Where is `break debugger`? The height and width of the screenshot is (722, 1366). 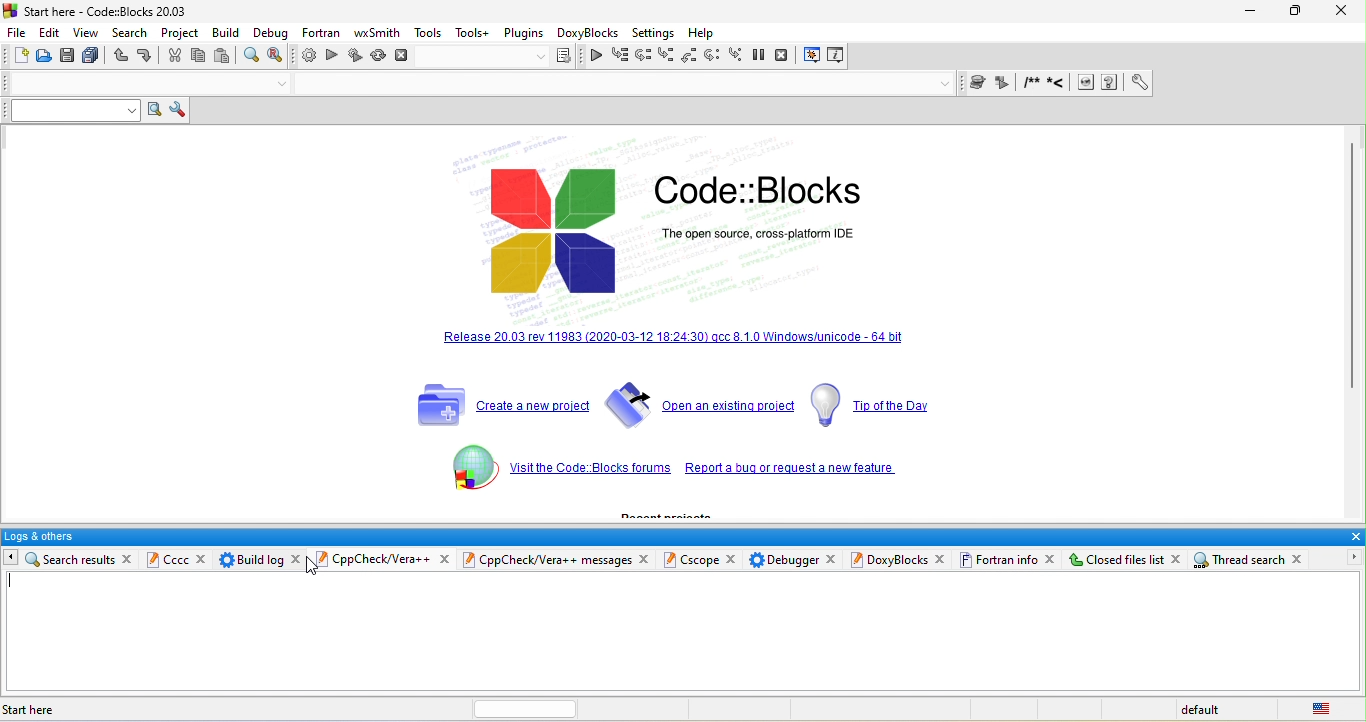
break debugger is located at coordinates (761, 57).